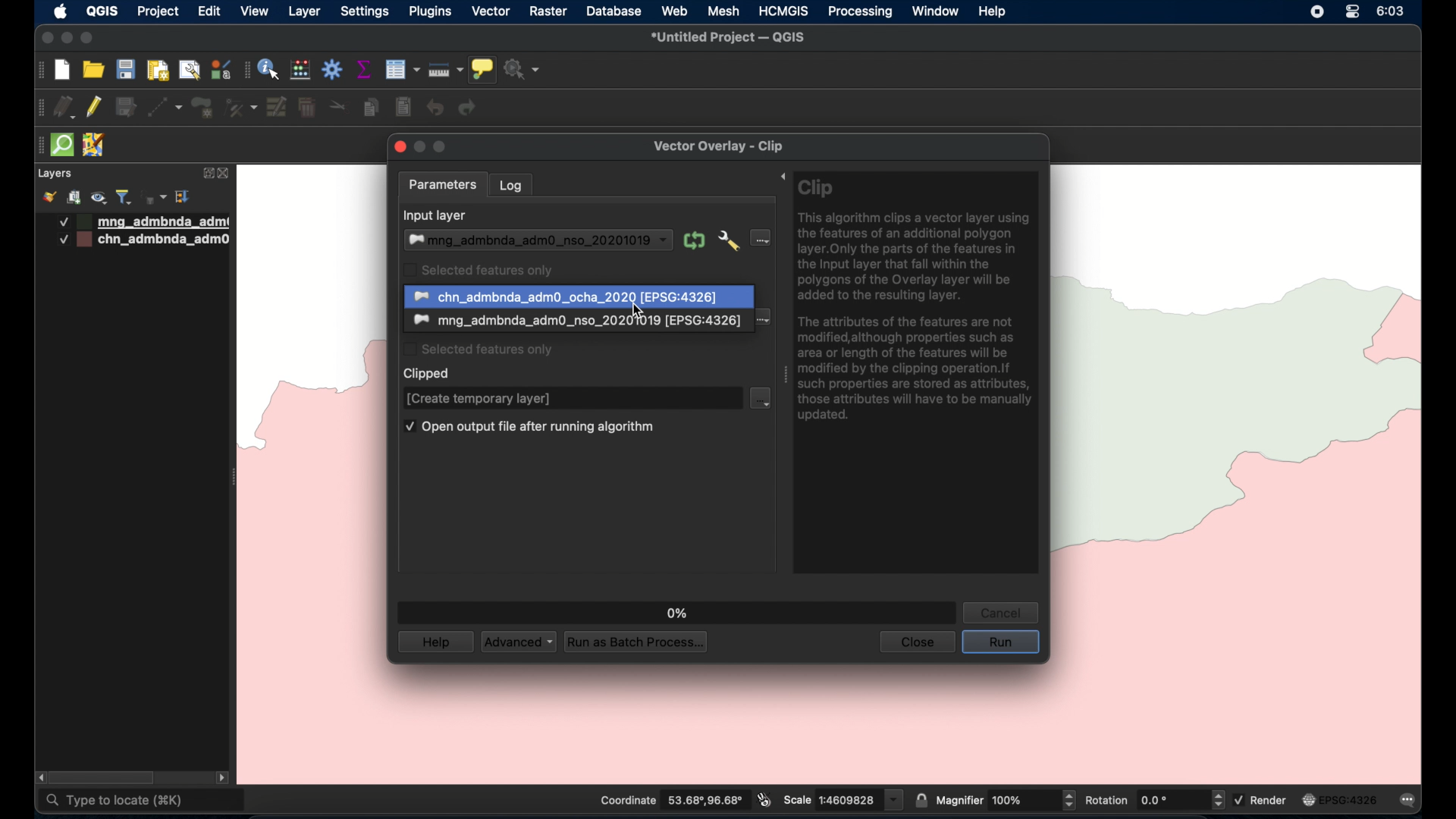 The image size is (1456, 819). What do you see at coordinates (278, 108) in the screenshot?
I see `modify attributes` at bounding box center [278, 108].